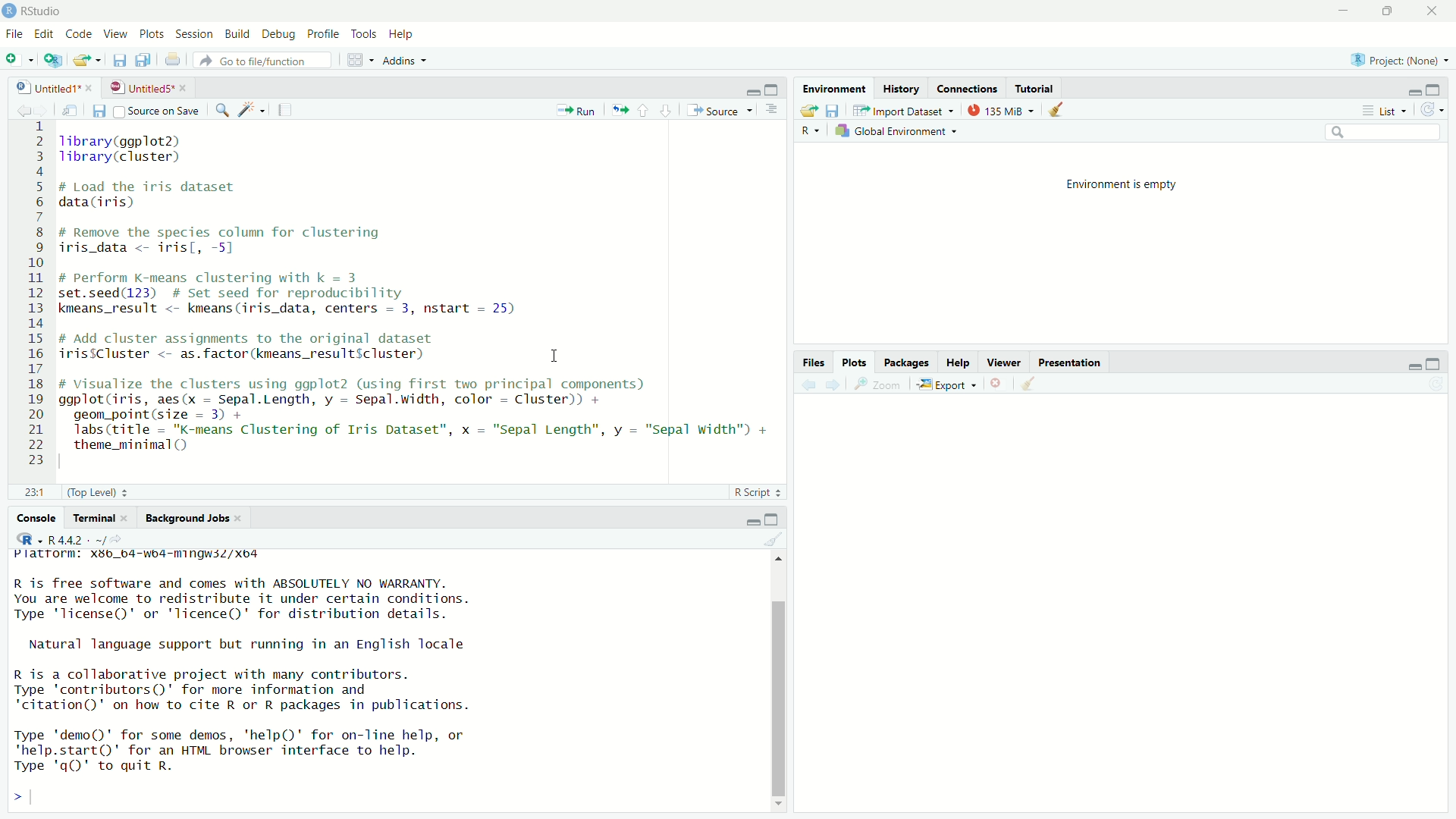 This screenshot has width=1456, height=819. I want to click on terminal, so click(93, 517).